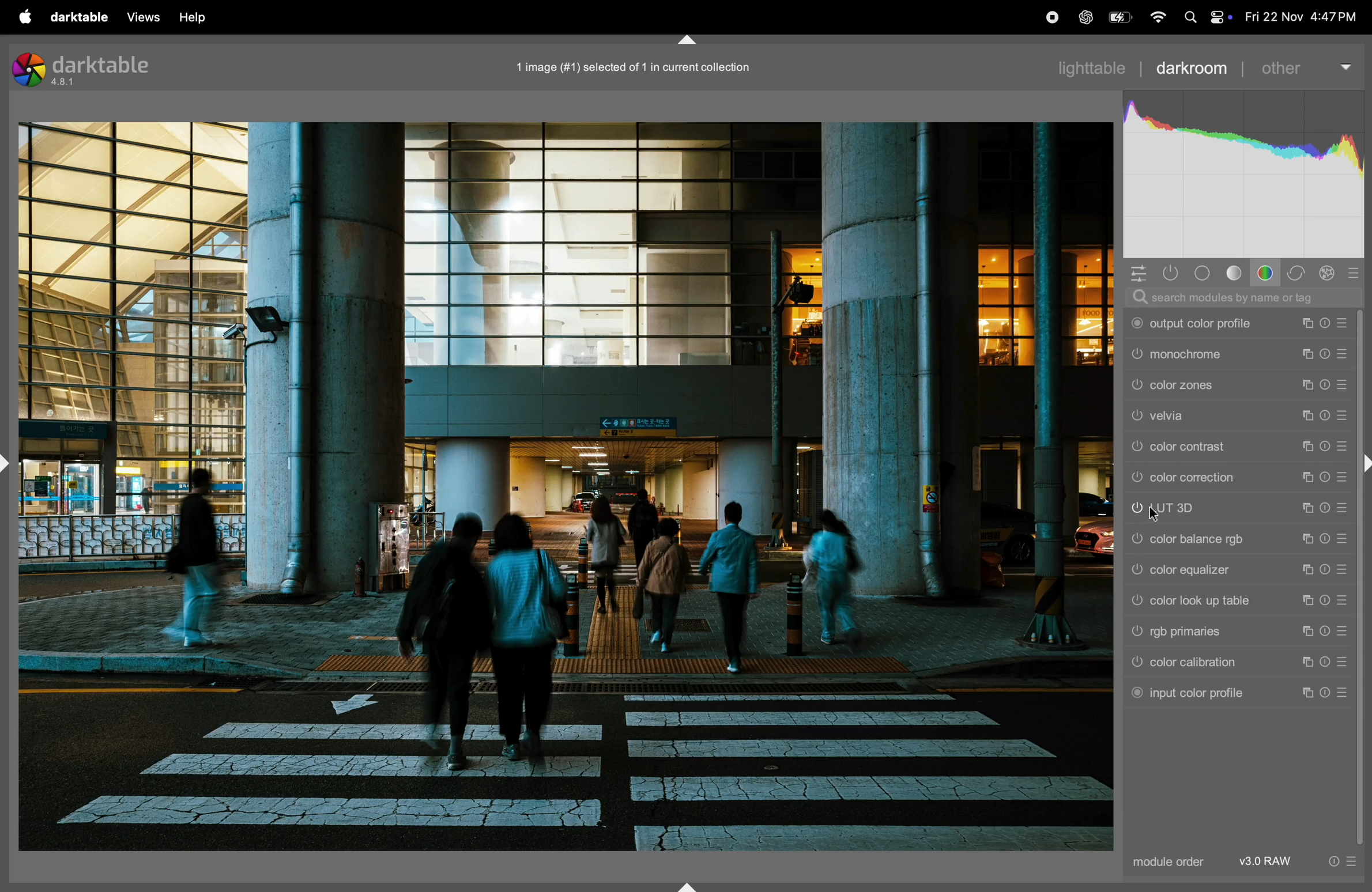  What do you see at coordinates (1326, 447) in the screenshot?
I see `reset` at bounding box center [1326, 447].